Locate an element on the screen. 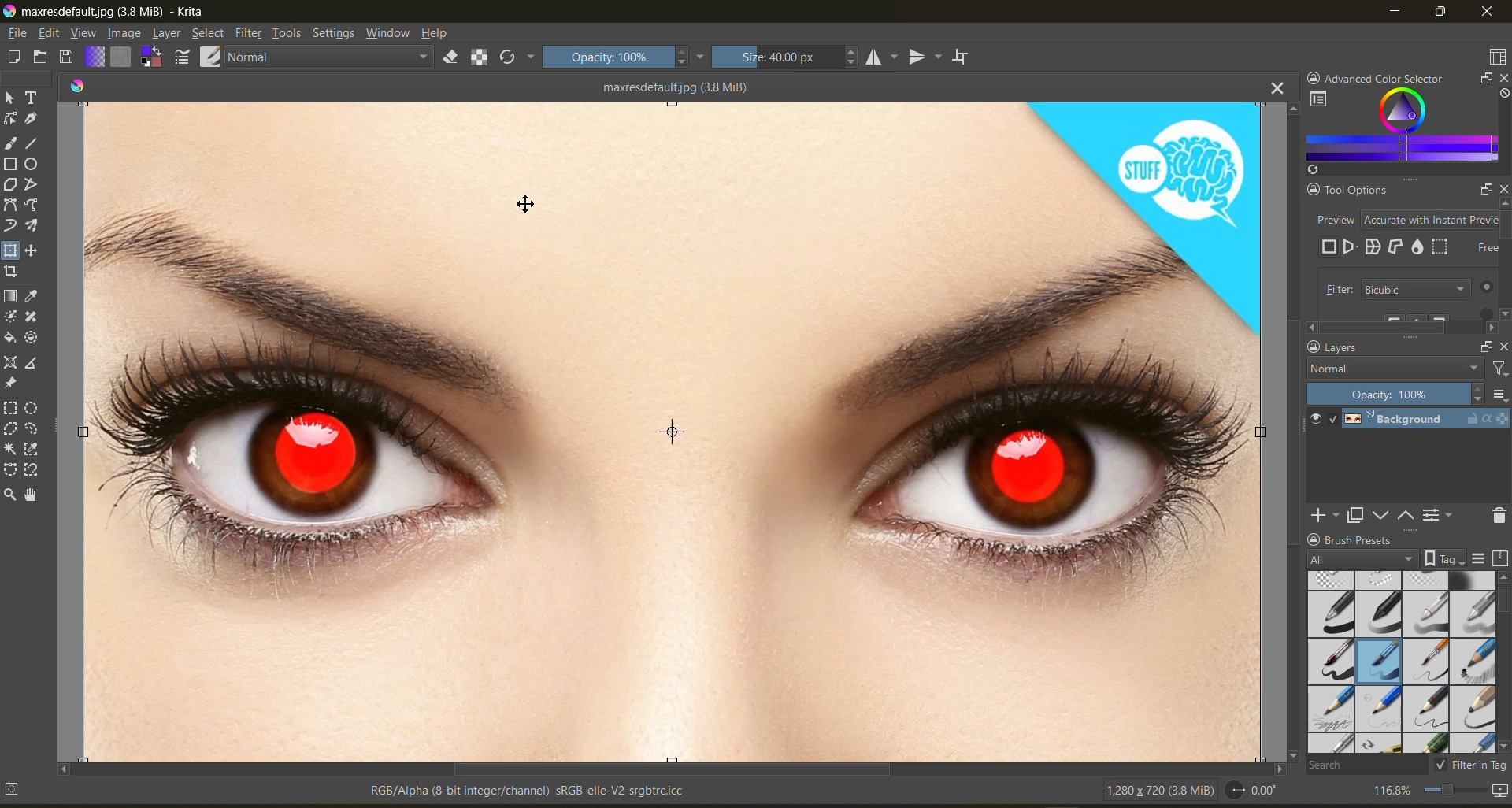 The height and width of the screenshot is (808, 1512). edit brush settings is located at coordinates (184, 57).